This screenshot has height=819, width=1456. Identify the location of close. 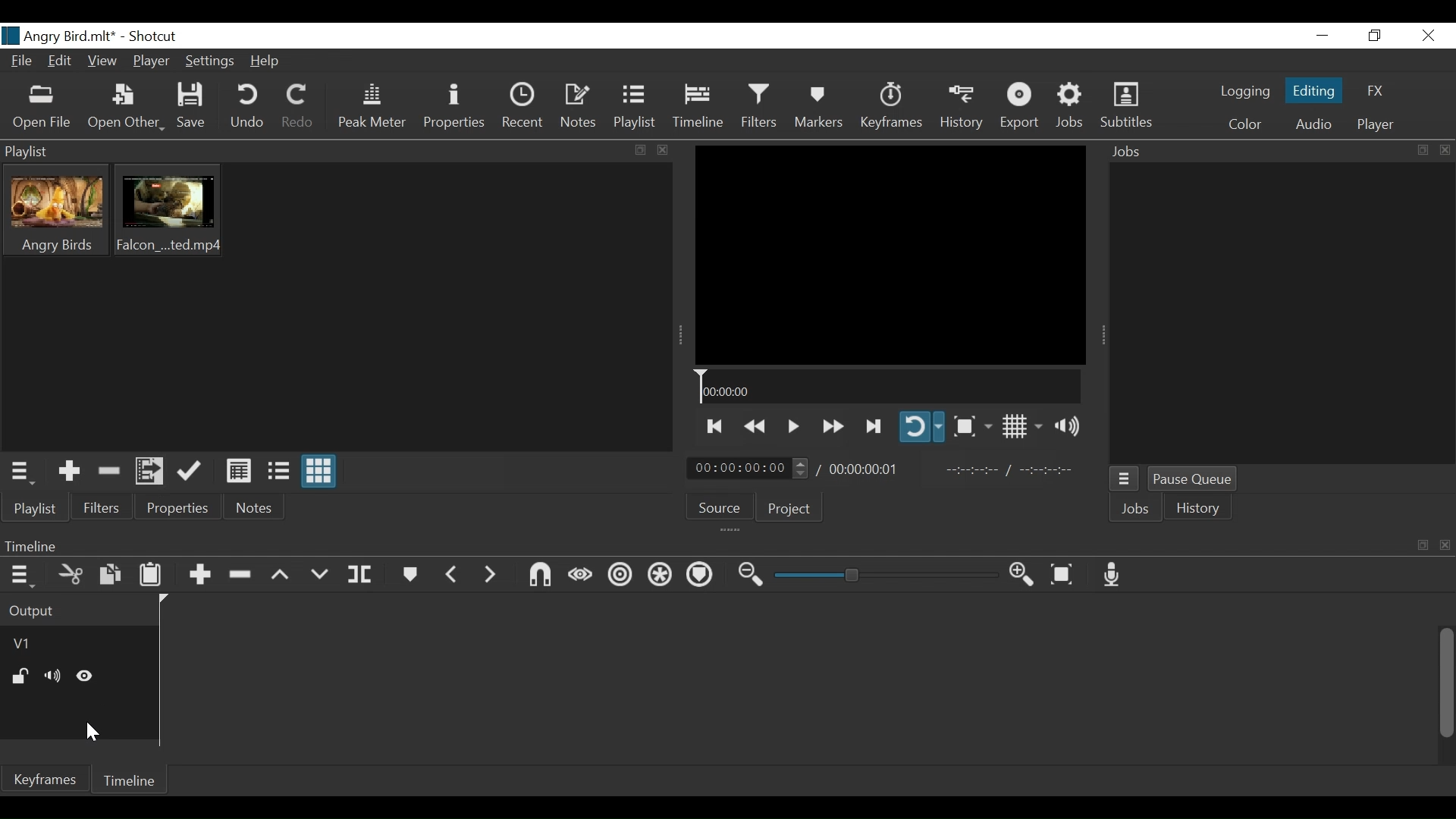
(1446, 150).